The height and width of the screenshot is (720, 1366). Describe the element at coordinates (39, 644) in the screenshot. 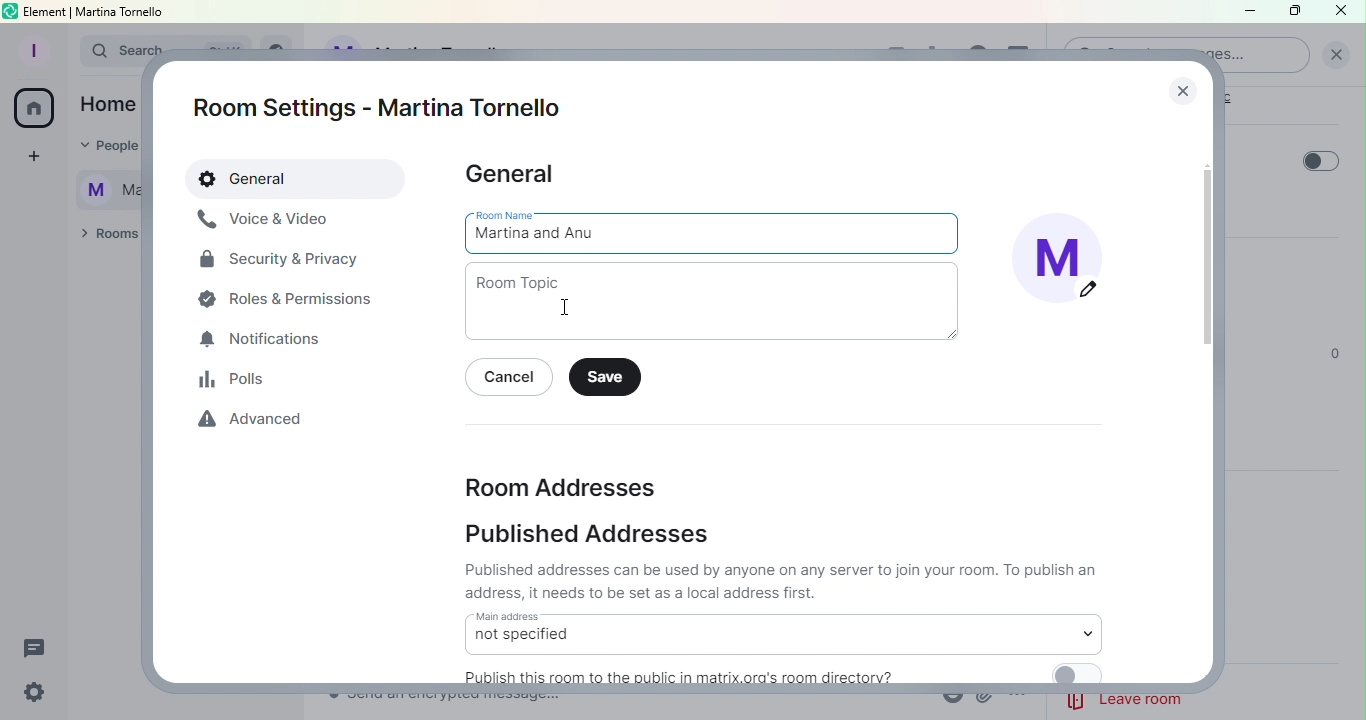

I see `Threads` at that location.